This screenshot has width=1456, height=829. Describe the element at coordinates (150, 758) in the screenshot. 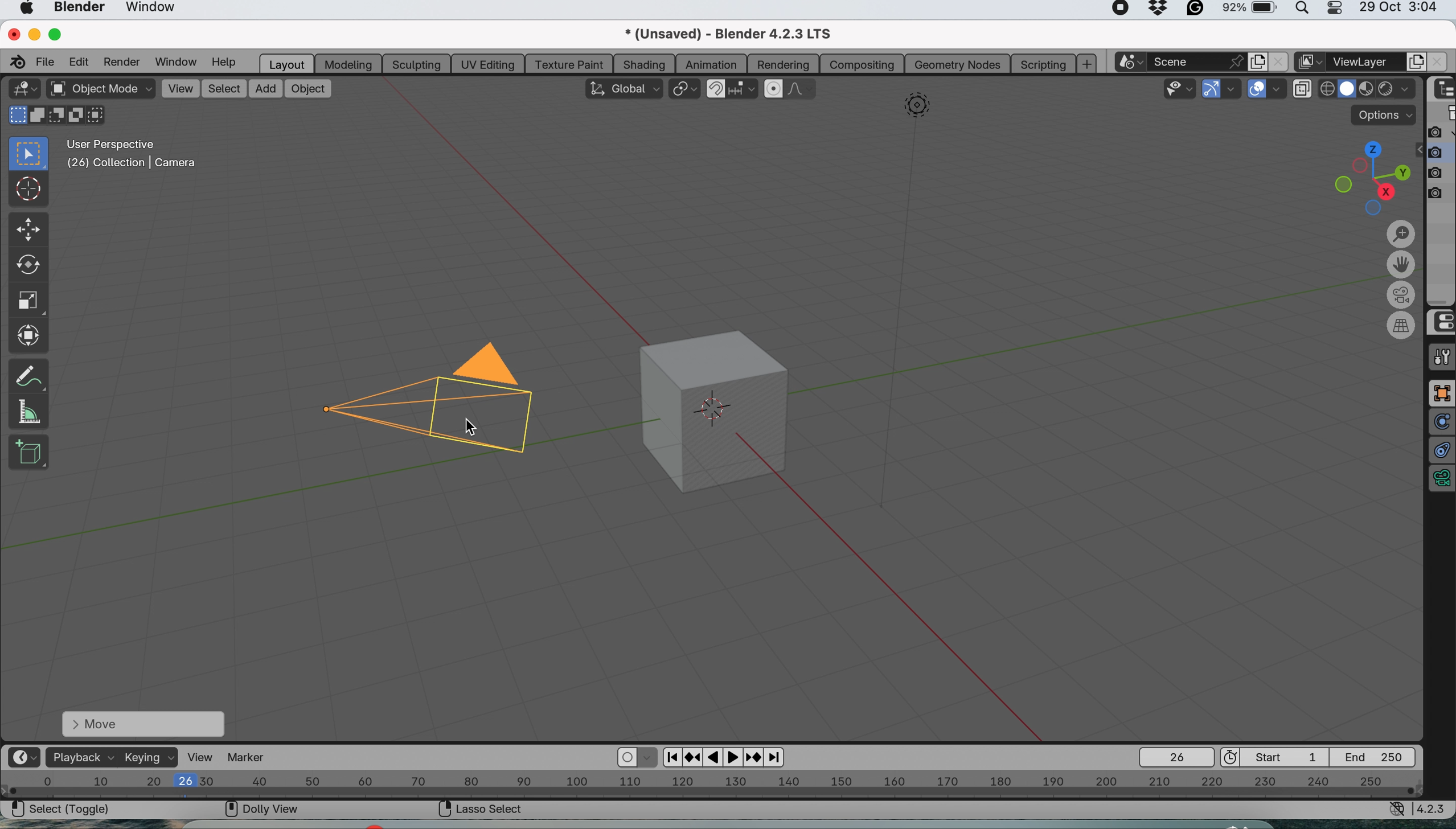

I see `keying` at that location.